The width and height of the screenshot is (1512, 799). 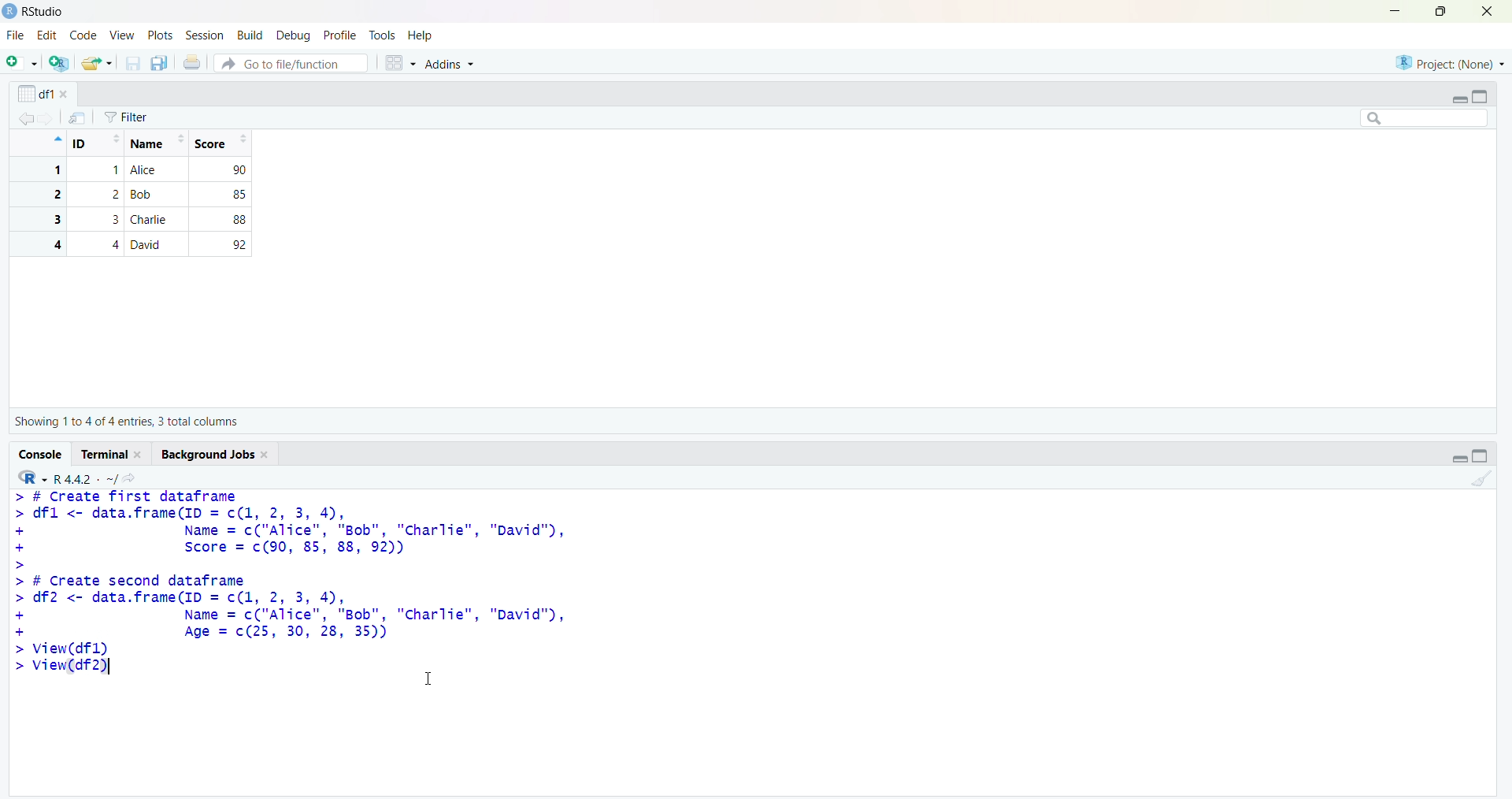 I want to click on print, so click(x=193, y=61).